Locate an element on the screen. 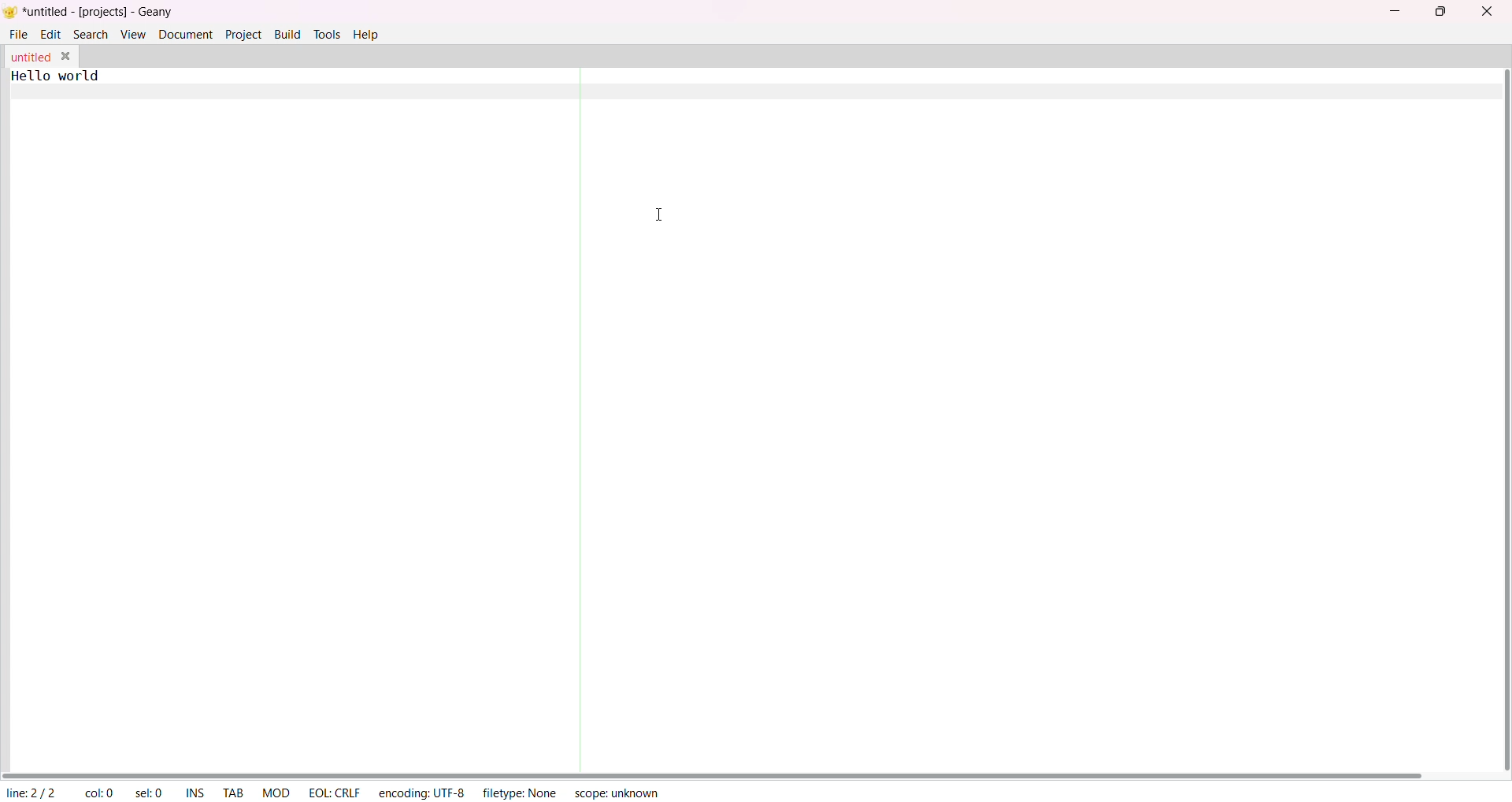  *untitled-[projects]-Geany is located at coordinates (113, 12).